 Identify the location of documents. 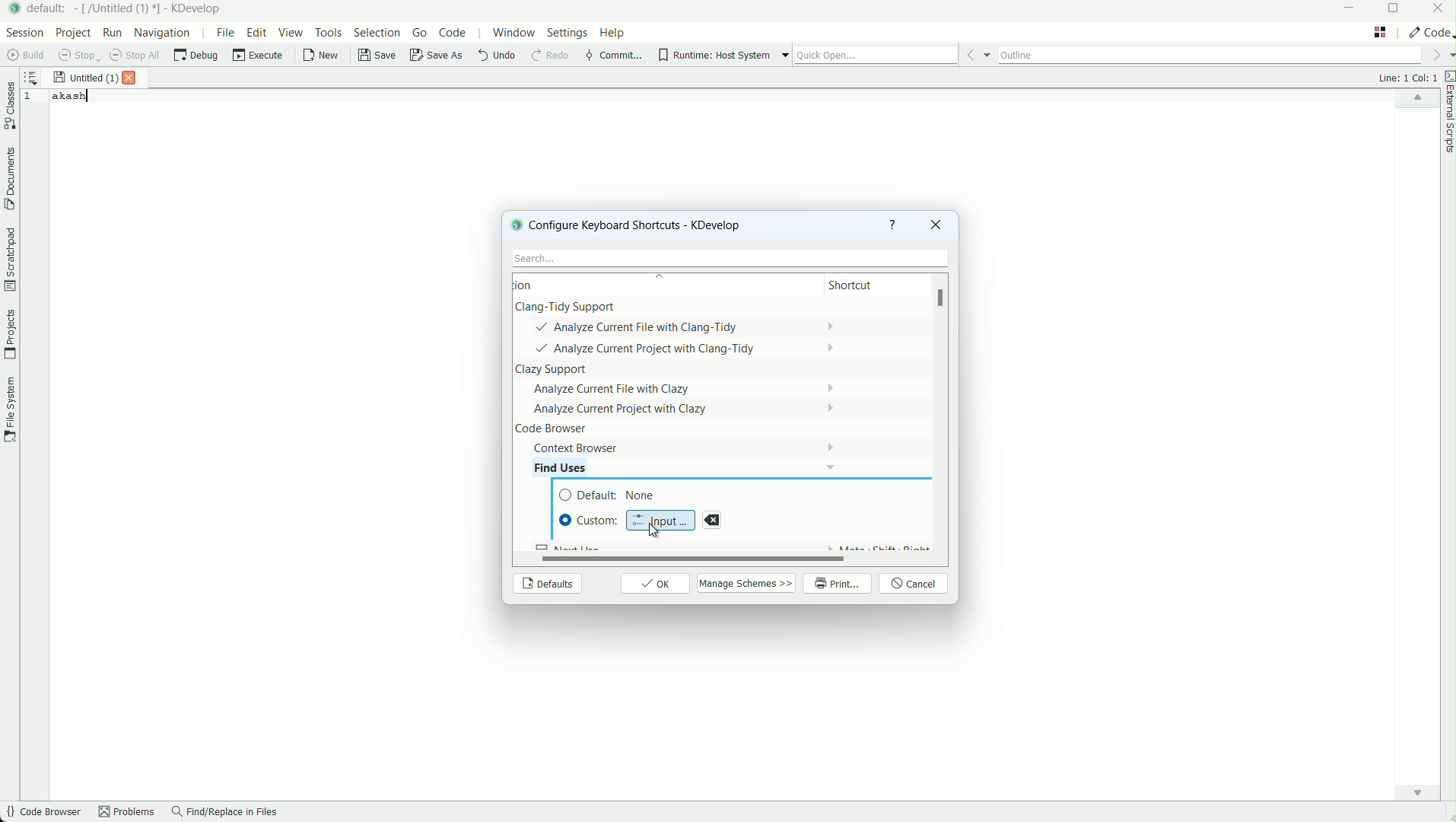
(9, 179).